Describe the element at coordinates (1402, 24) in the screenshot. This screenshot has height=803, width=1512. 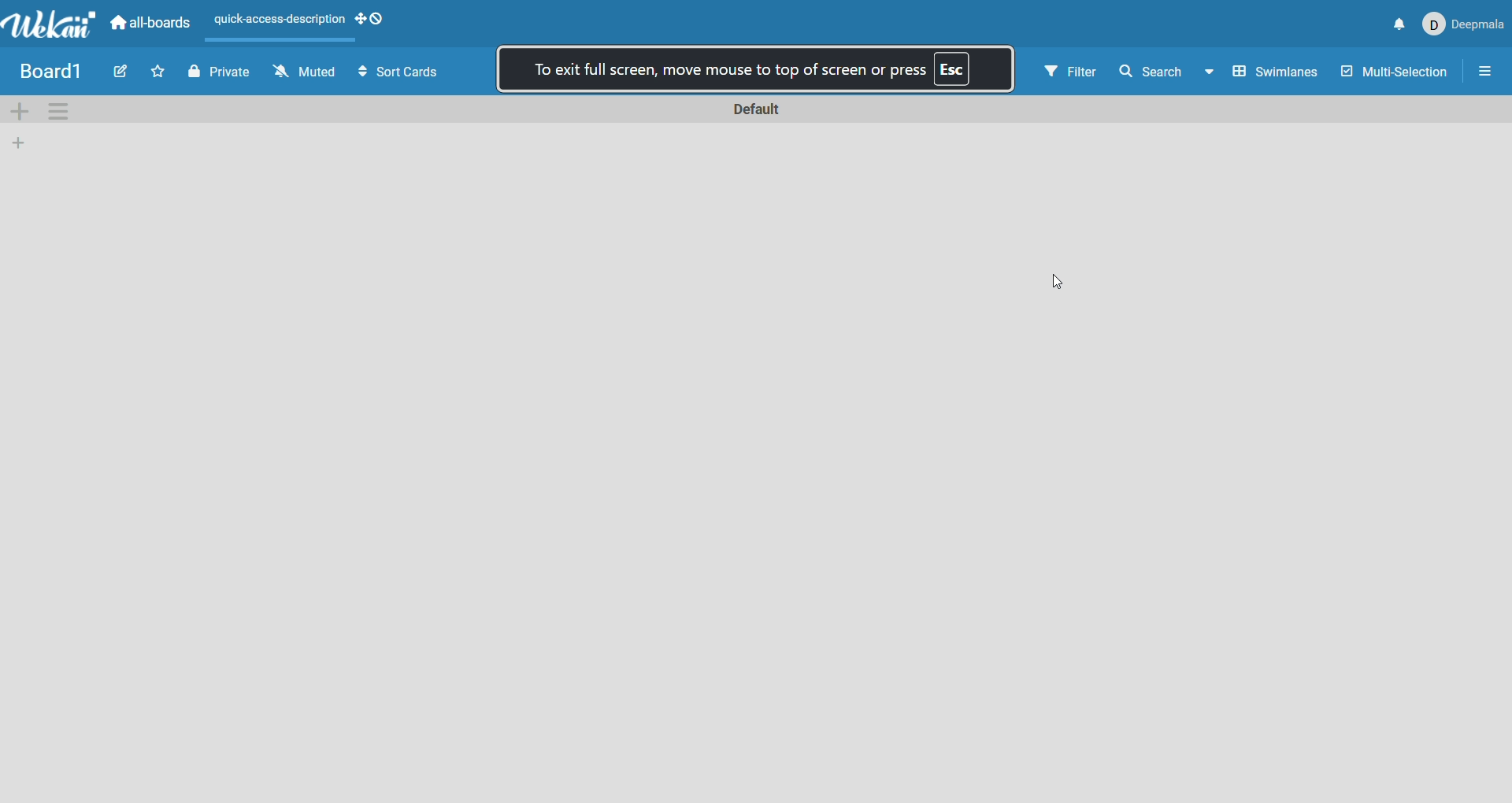
I see `notify` at that location.